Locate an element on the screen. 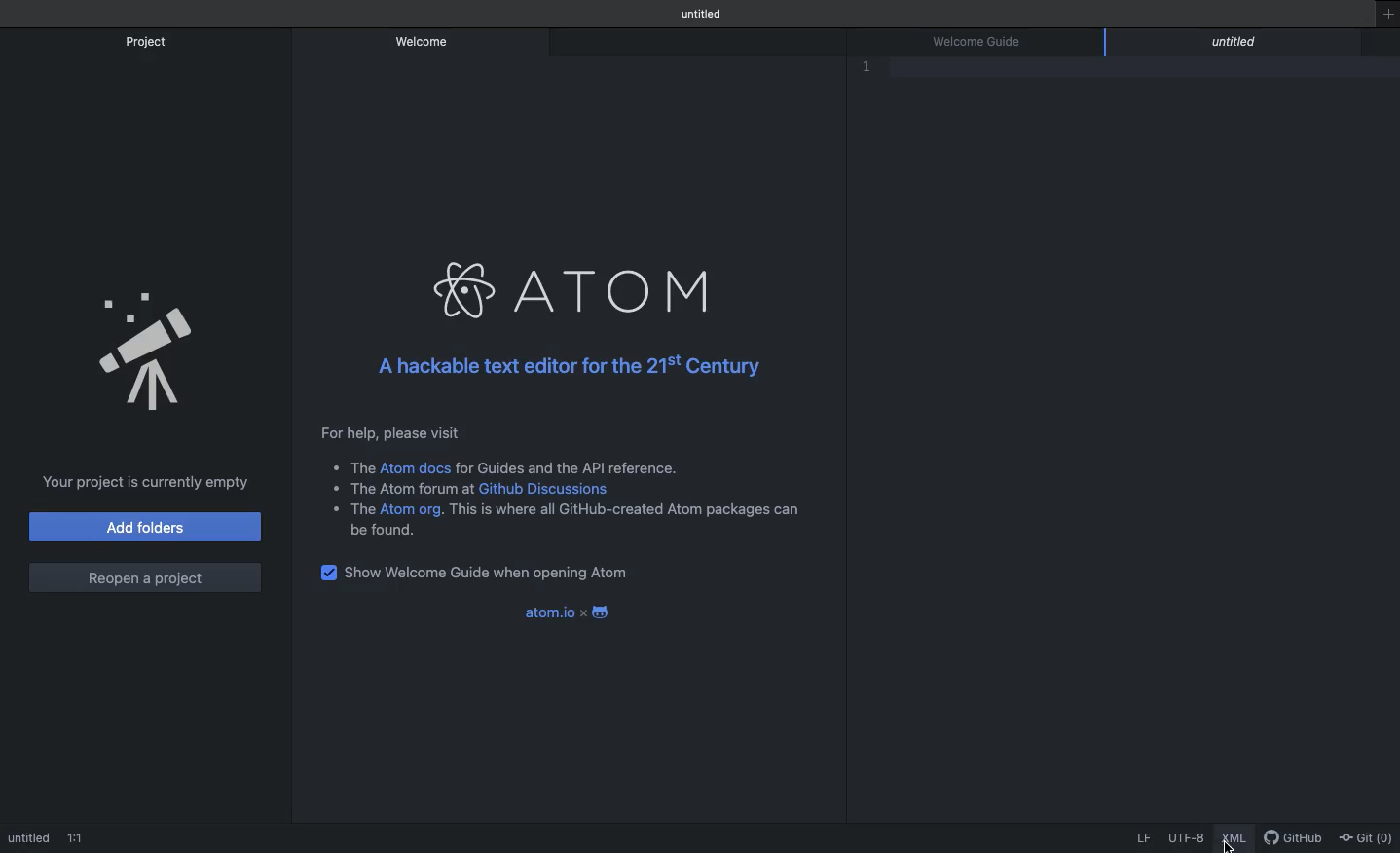 The height and width of the screenshot is (853, 1400). list item content is located at coordinates (625, 511).